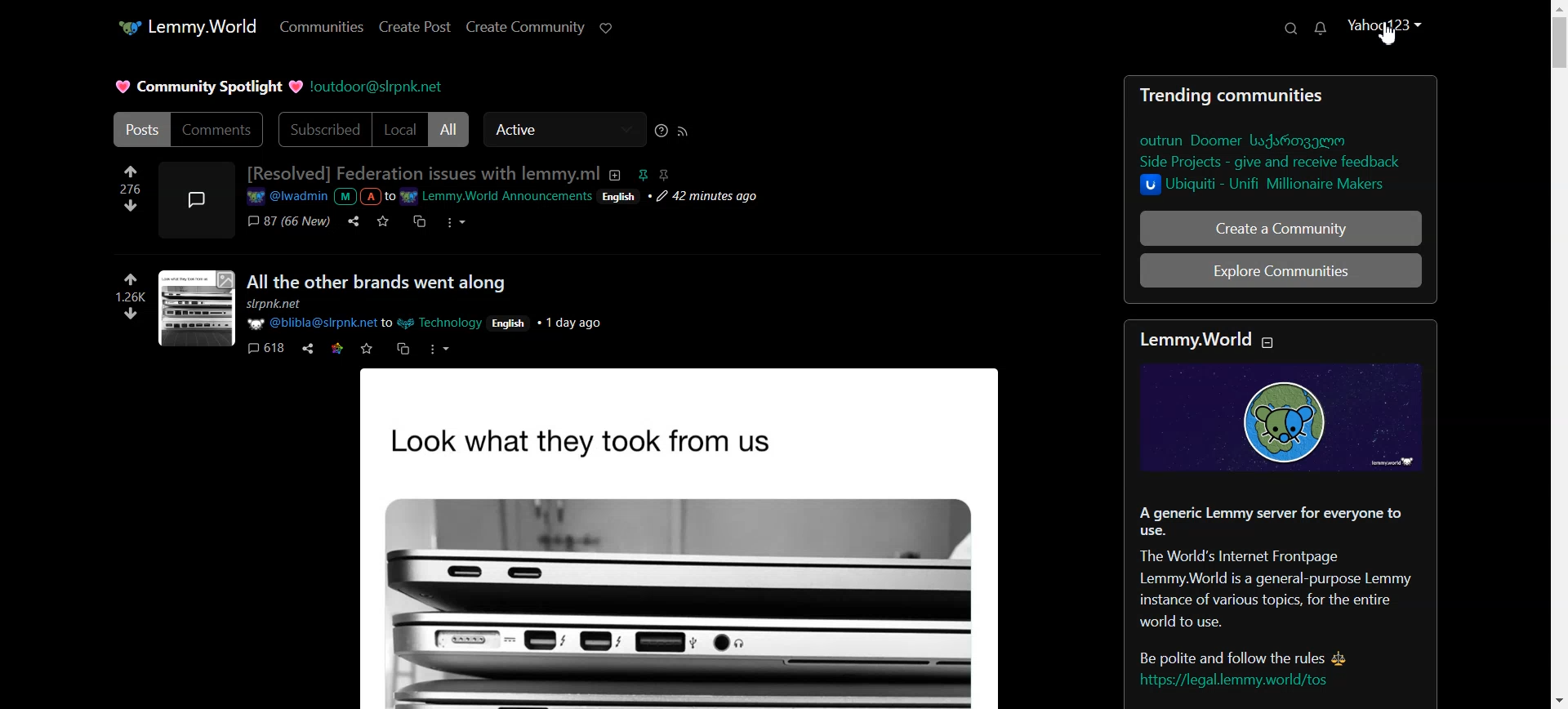 The width and height of the screenshot is (1568, 709). Describe the element at coordinates (416, 221) in the screenshot. I see `Copy` at that location.